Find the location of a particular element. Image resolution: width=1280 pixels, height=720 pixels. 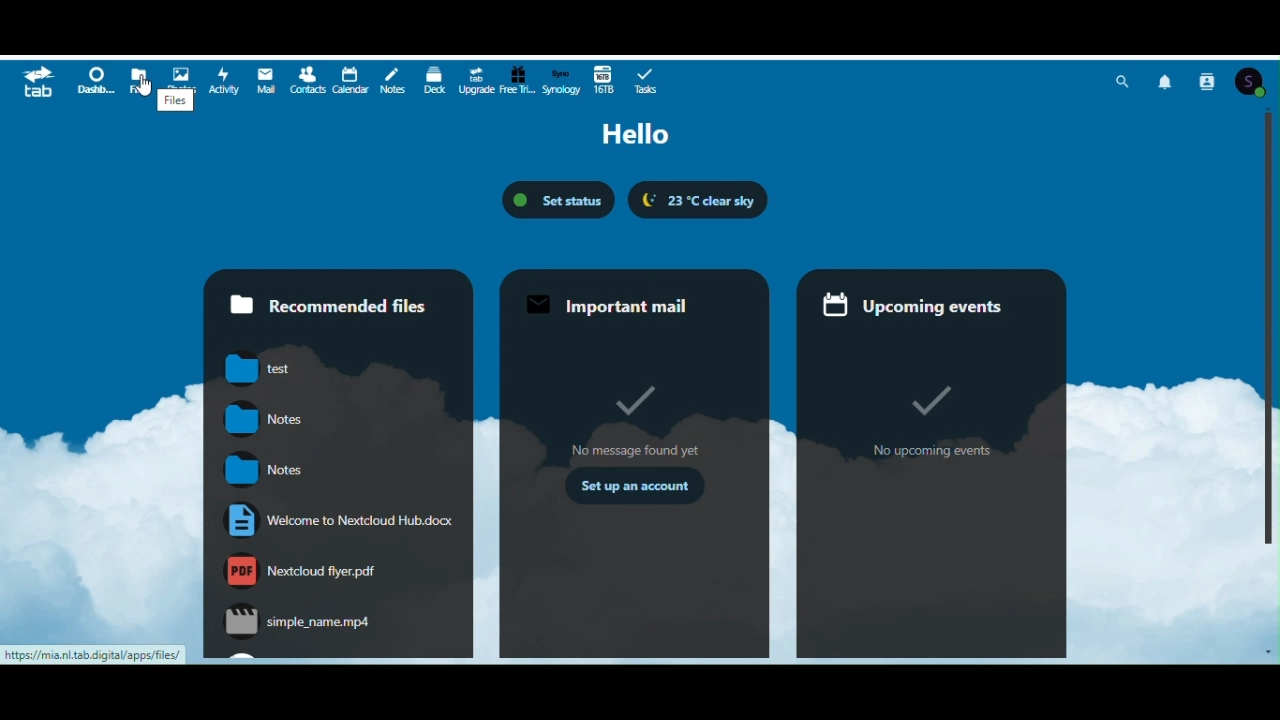

Notifications is located at coordinates (1167, 80).